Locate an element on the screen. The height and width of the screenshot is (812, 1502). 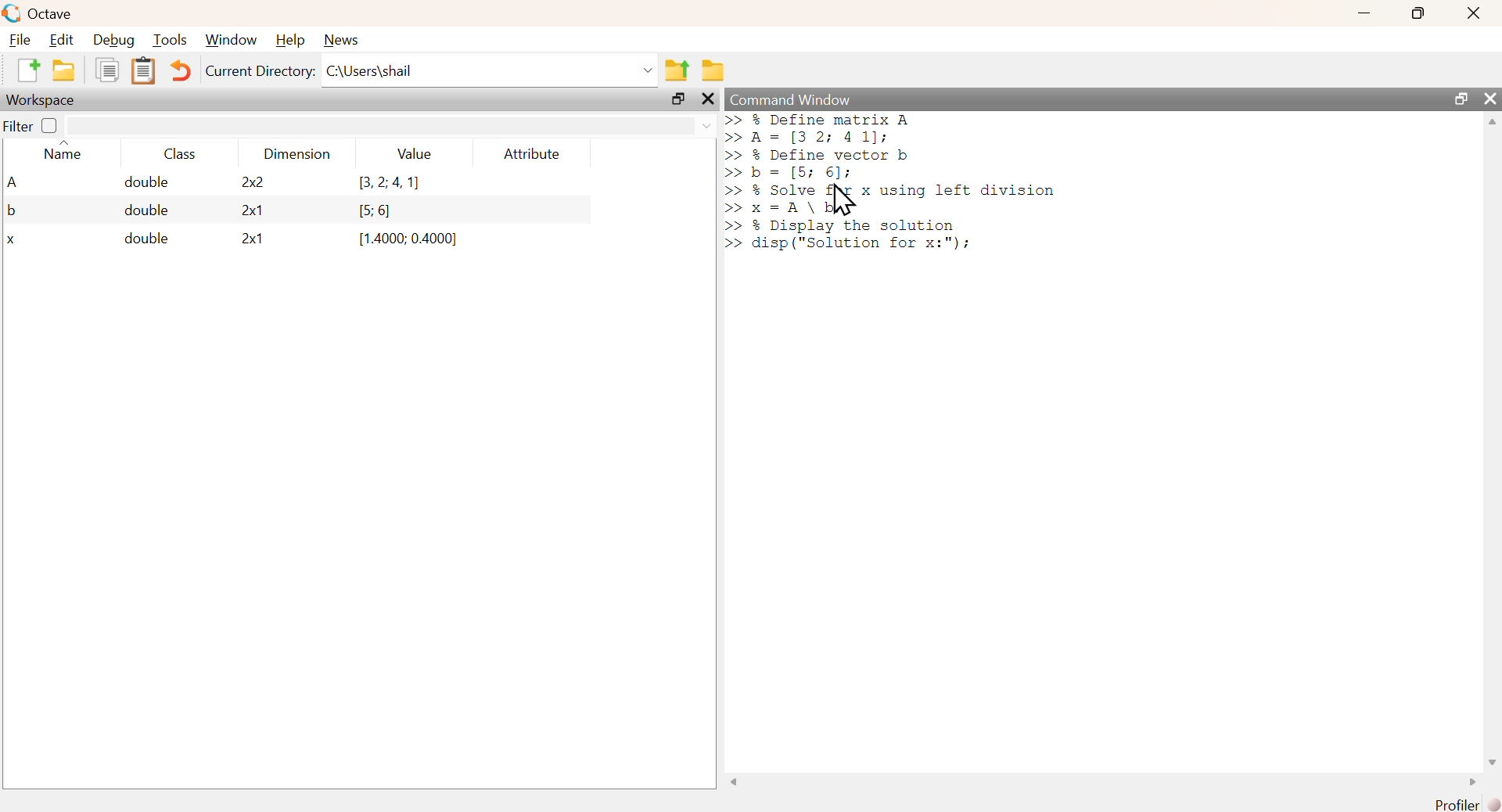
filter is located at coordinates (391, 126).